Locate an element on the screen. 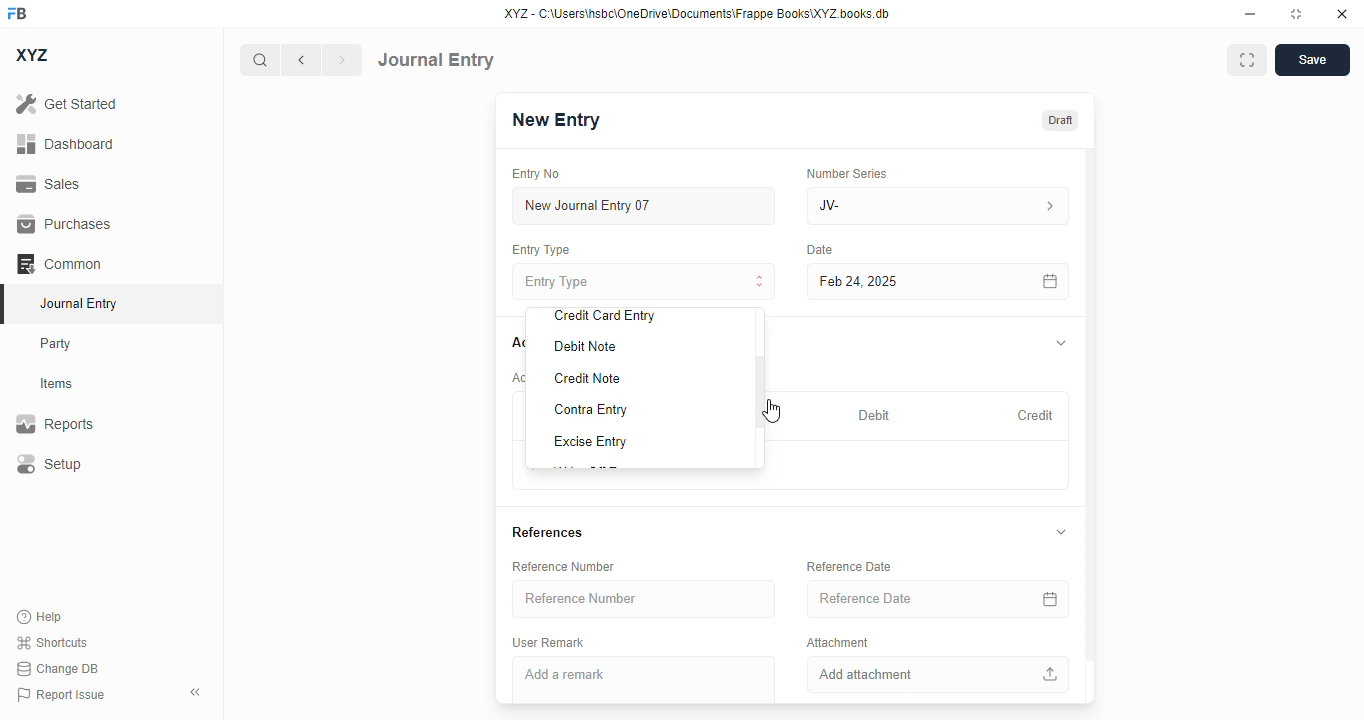  excise entry is located at coordinates (590, 442).